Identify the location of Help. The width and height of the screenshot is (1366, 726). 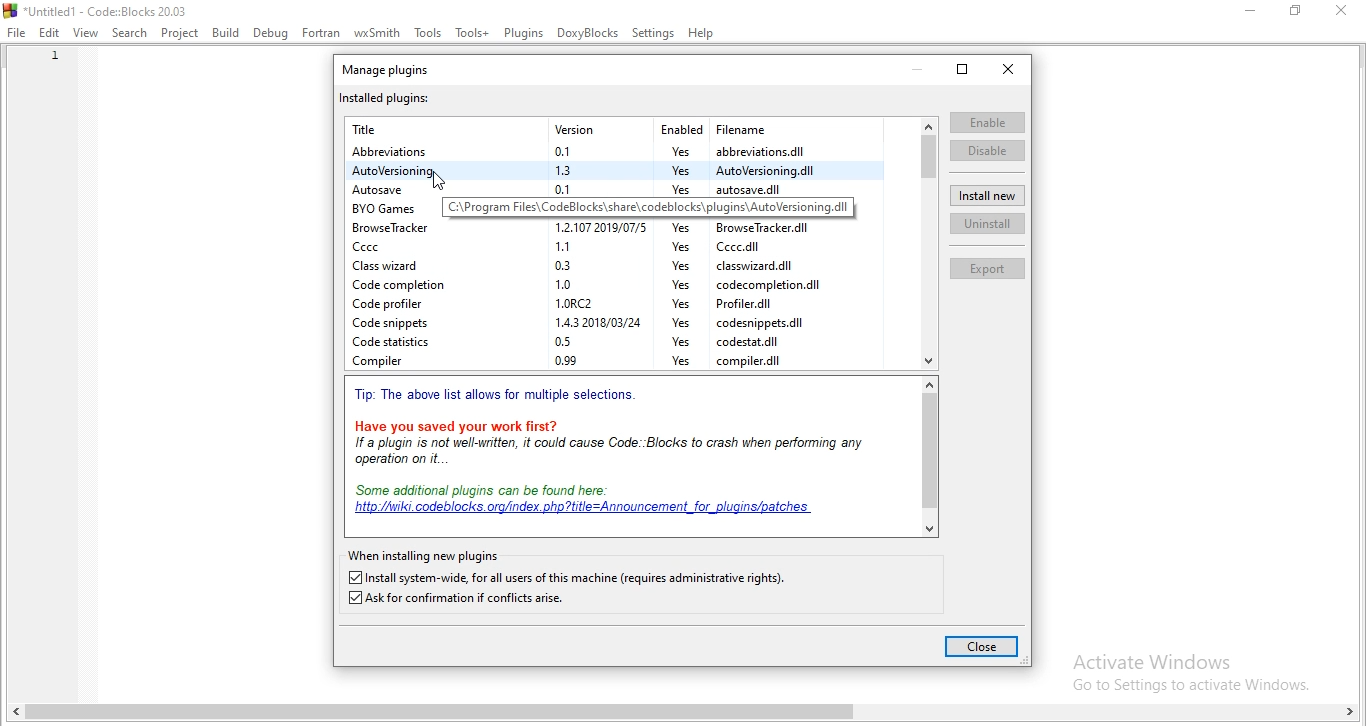
(702, 32).